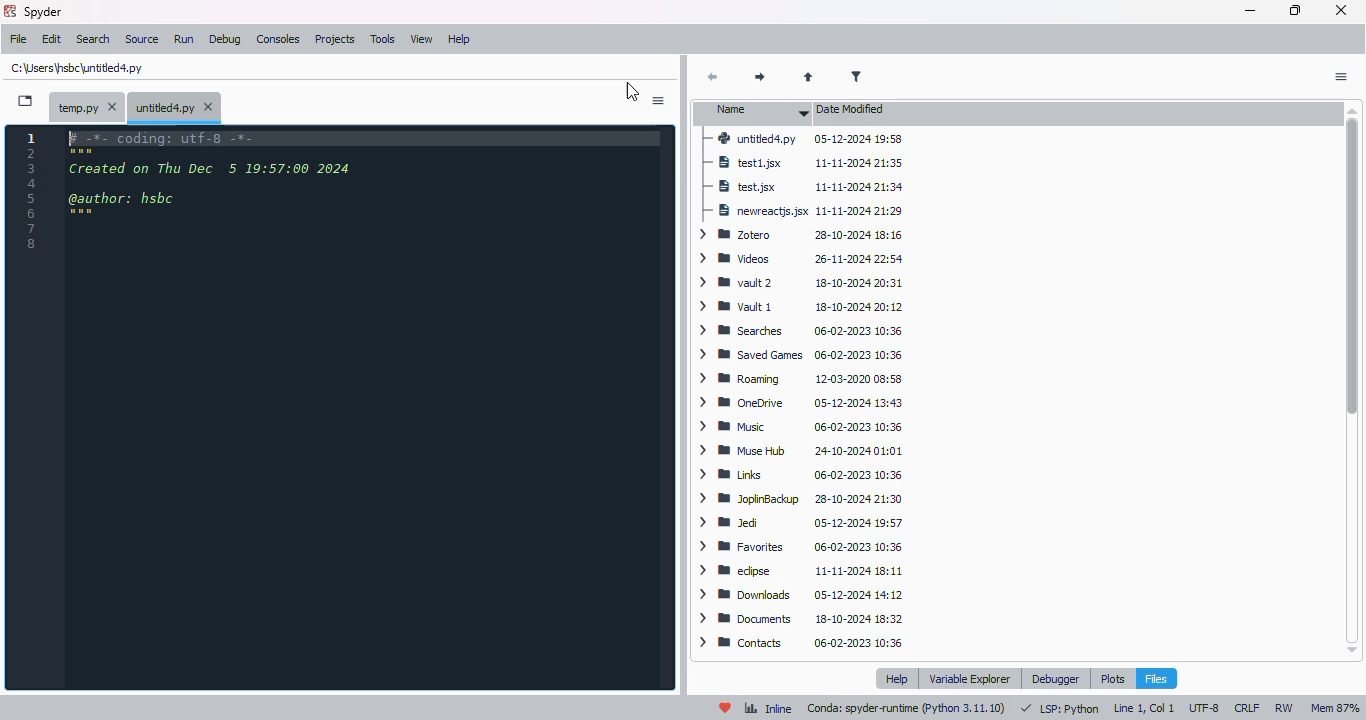 The height and width of the screenshot is (720, 1366). I want to click on help spyder!, so click(726, 708).